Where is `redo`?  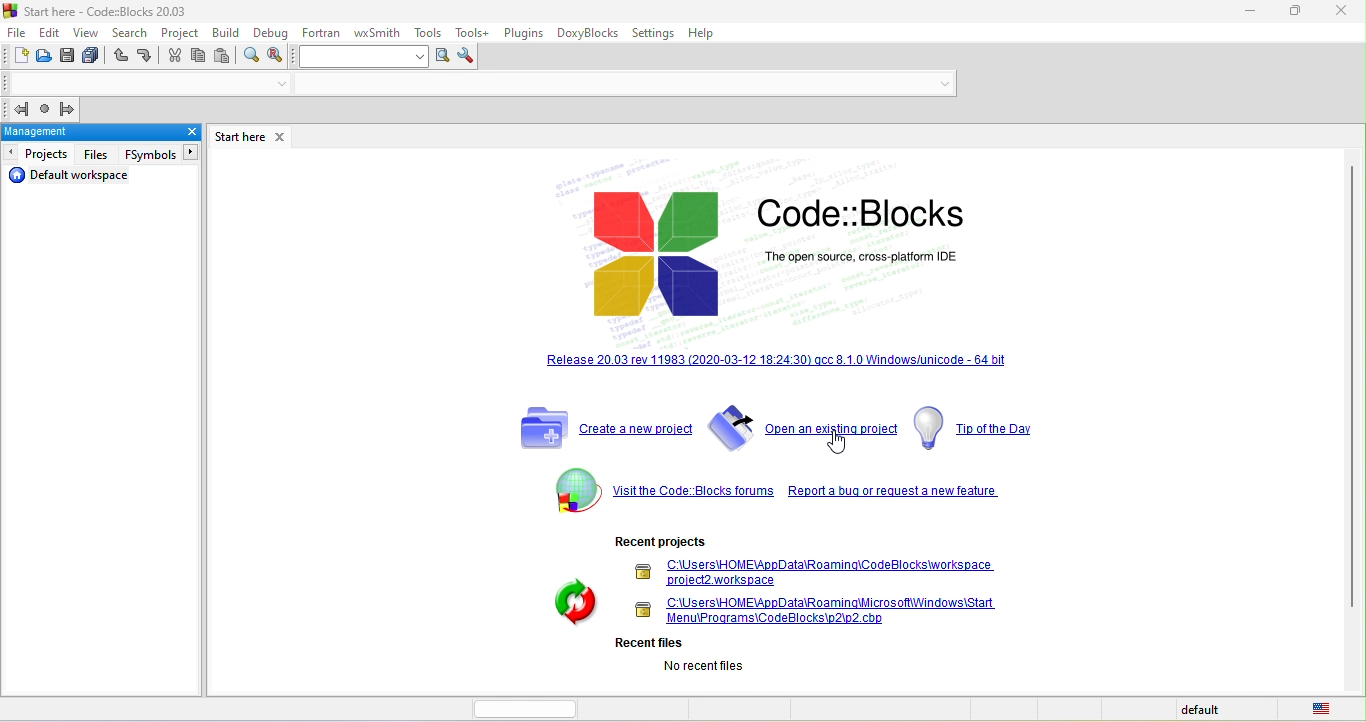 redo is located at coordinates (146, 56).